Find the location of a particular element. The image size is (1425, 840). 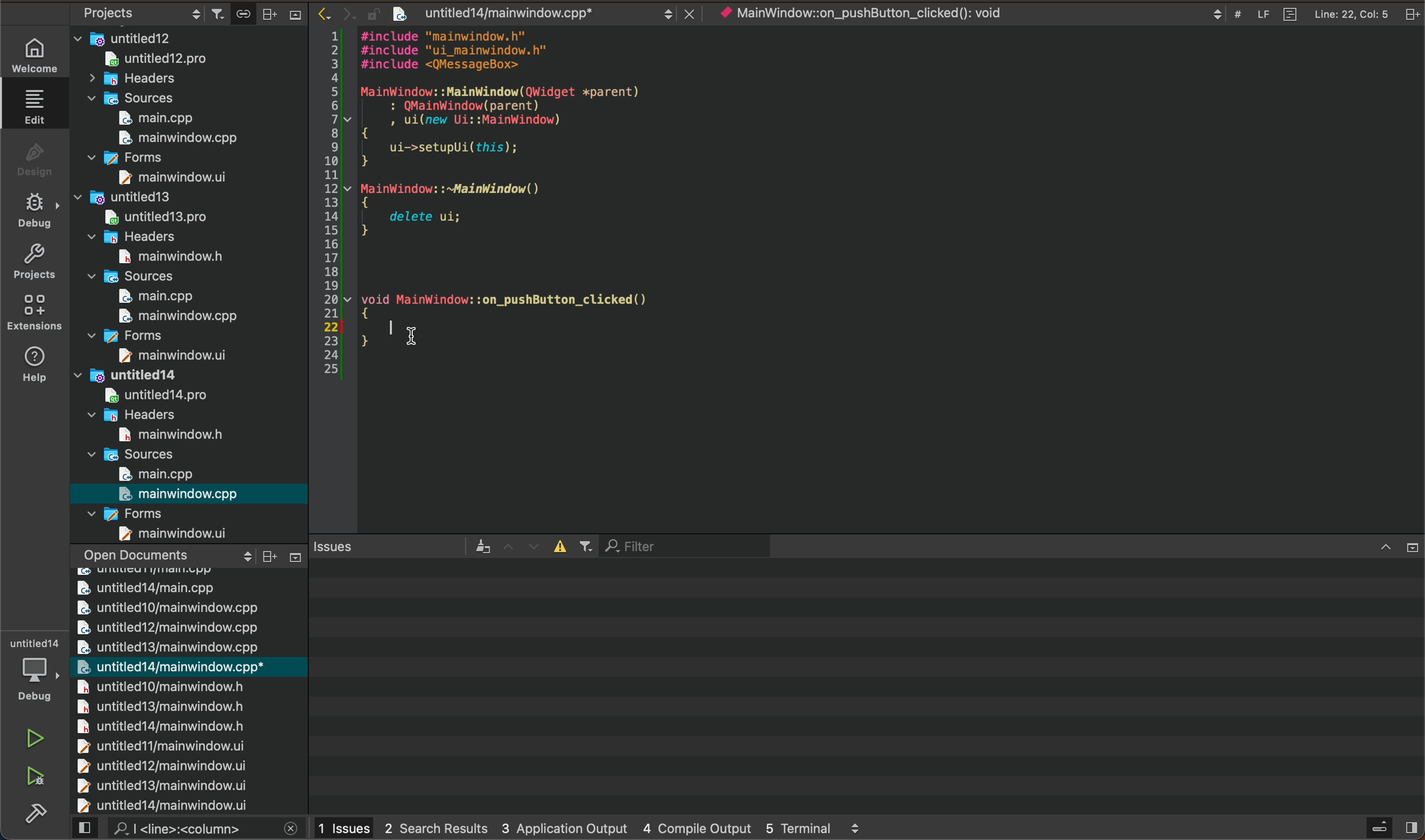

sources is located at coordinates (138, 453).